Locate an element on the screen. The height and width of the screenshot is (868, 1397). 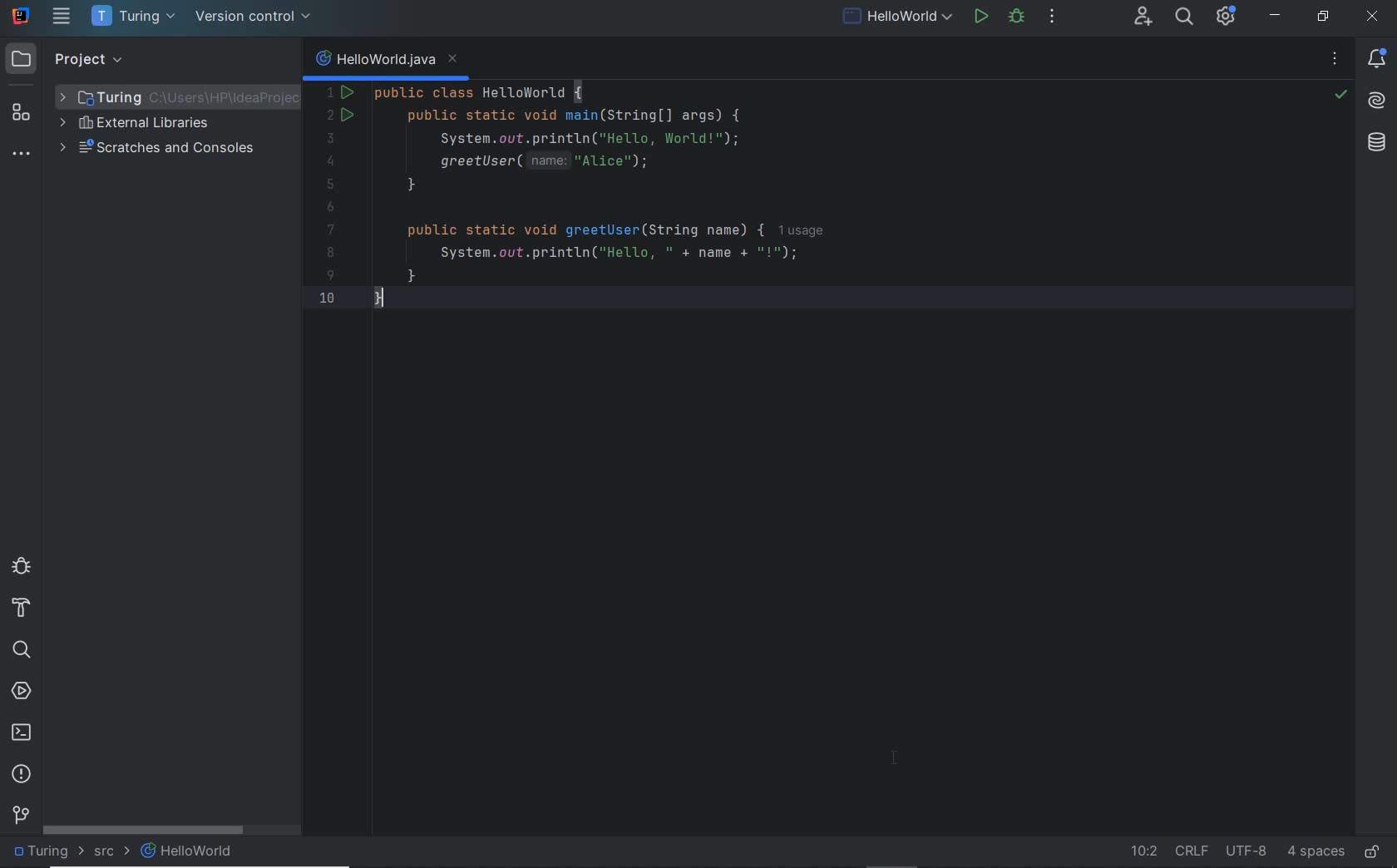
system name is located at coordinates (22, 16).